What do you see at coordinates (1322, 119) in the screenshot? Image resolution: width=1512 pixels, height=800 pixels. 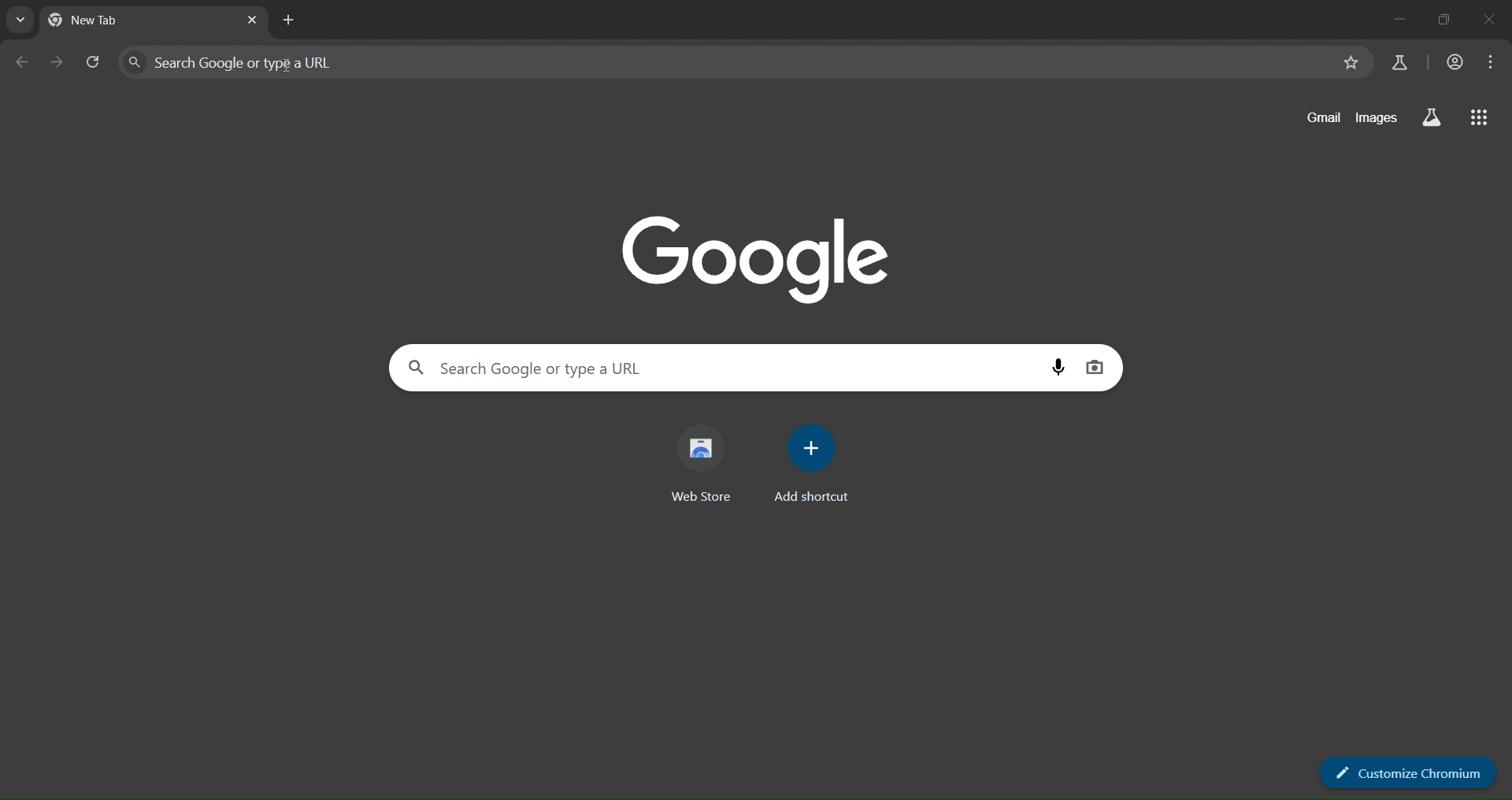 I see `gmail` at bounding box center [1322, 119].